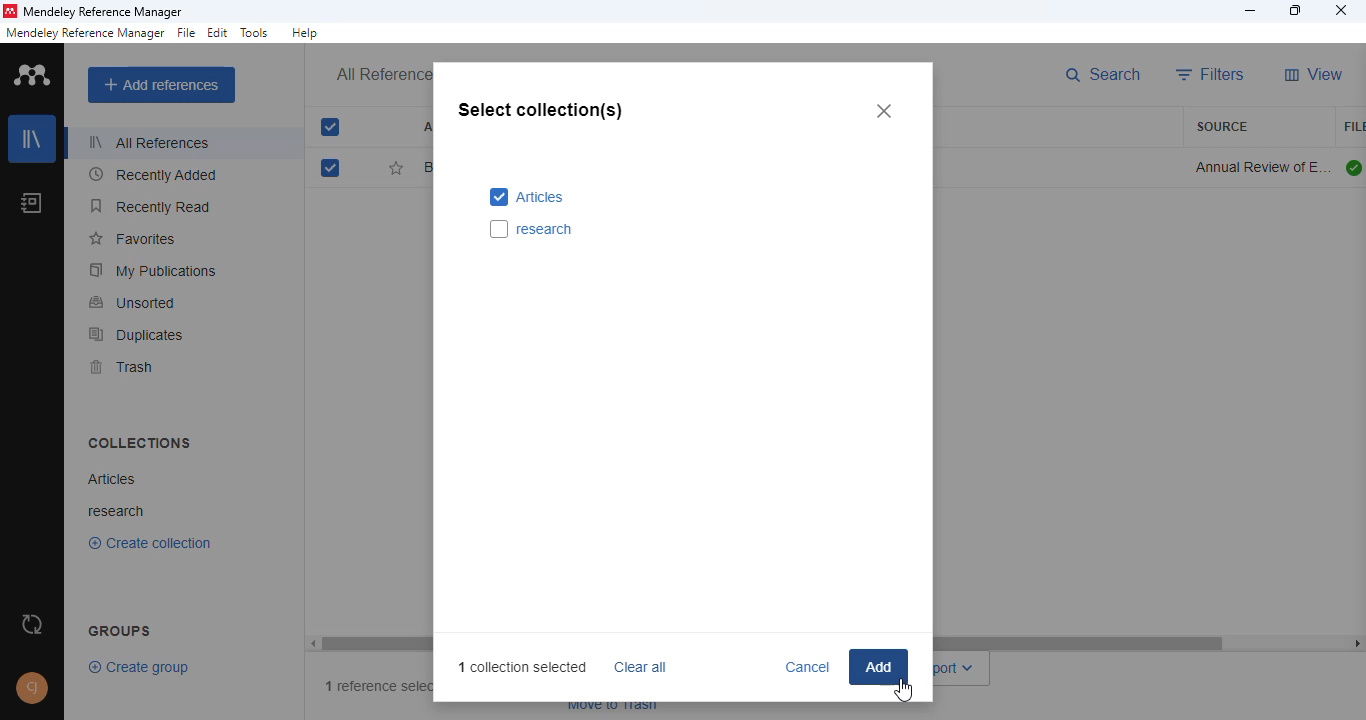 This screenshot has width=1366, height=720. What do you see at coordinates (121, 510) in the screenshot?
I see `research` at bounding box center [121, 510].